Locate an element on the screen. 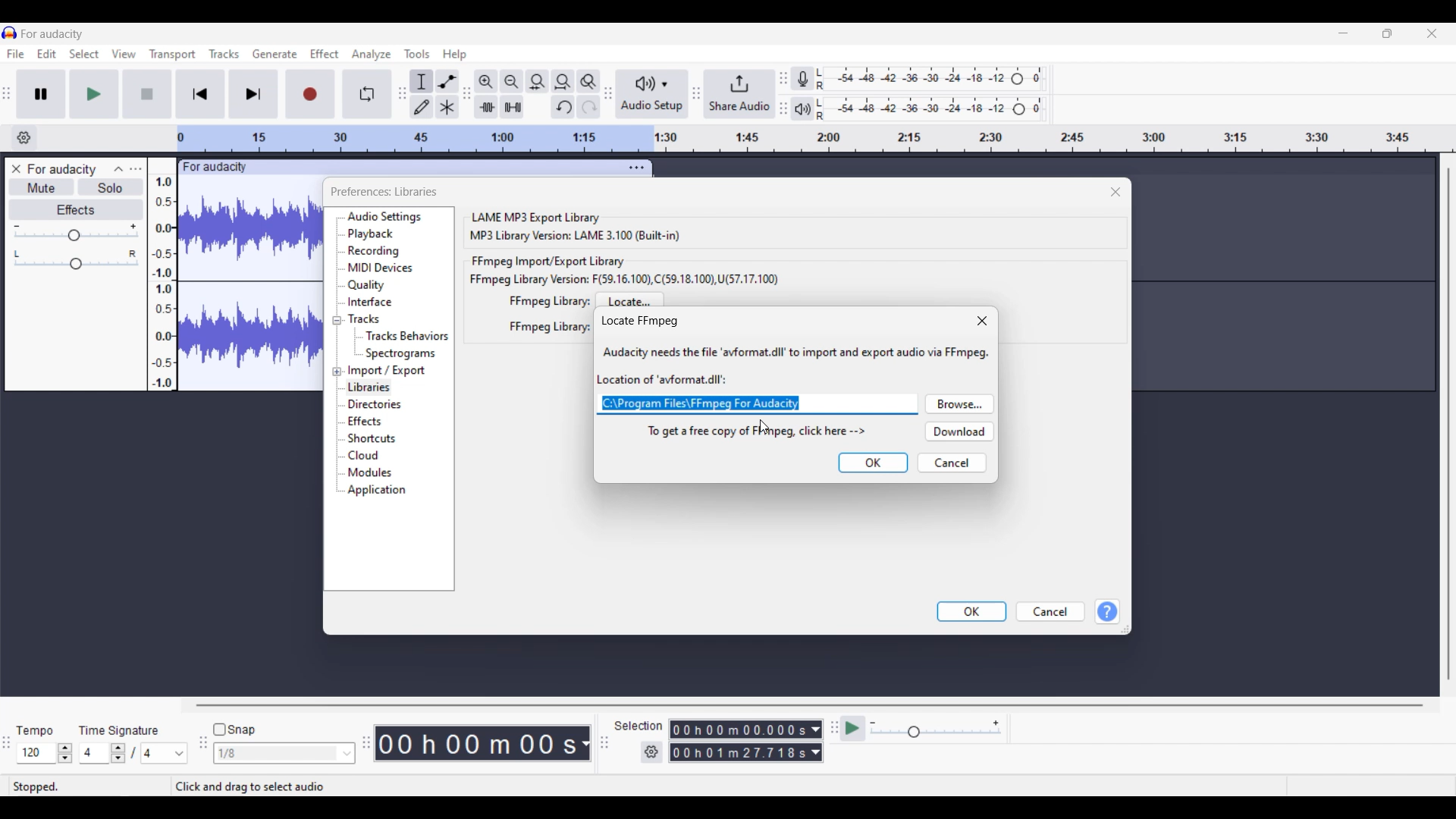 The width and height of the screenshot is (1456, 819). Solo is located at coordinates (111, 187).